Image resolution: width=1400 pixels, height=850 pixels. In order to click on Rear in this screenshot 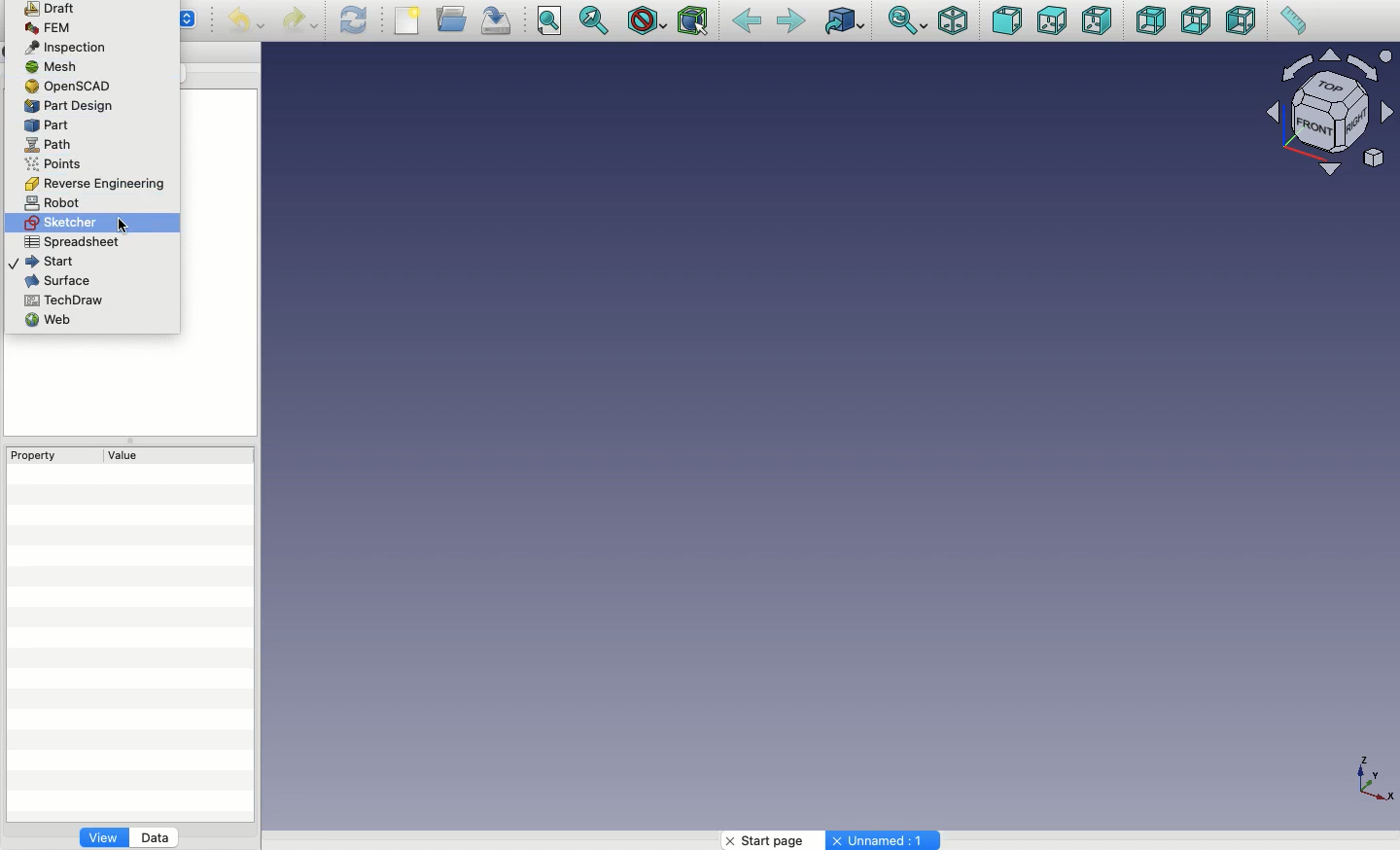, I will do `click(1149, 21)`.